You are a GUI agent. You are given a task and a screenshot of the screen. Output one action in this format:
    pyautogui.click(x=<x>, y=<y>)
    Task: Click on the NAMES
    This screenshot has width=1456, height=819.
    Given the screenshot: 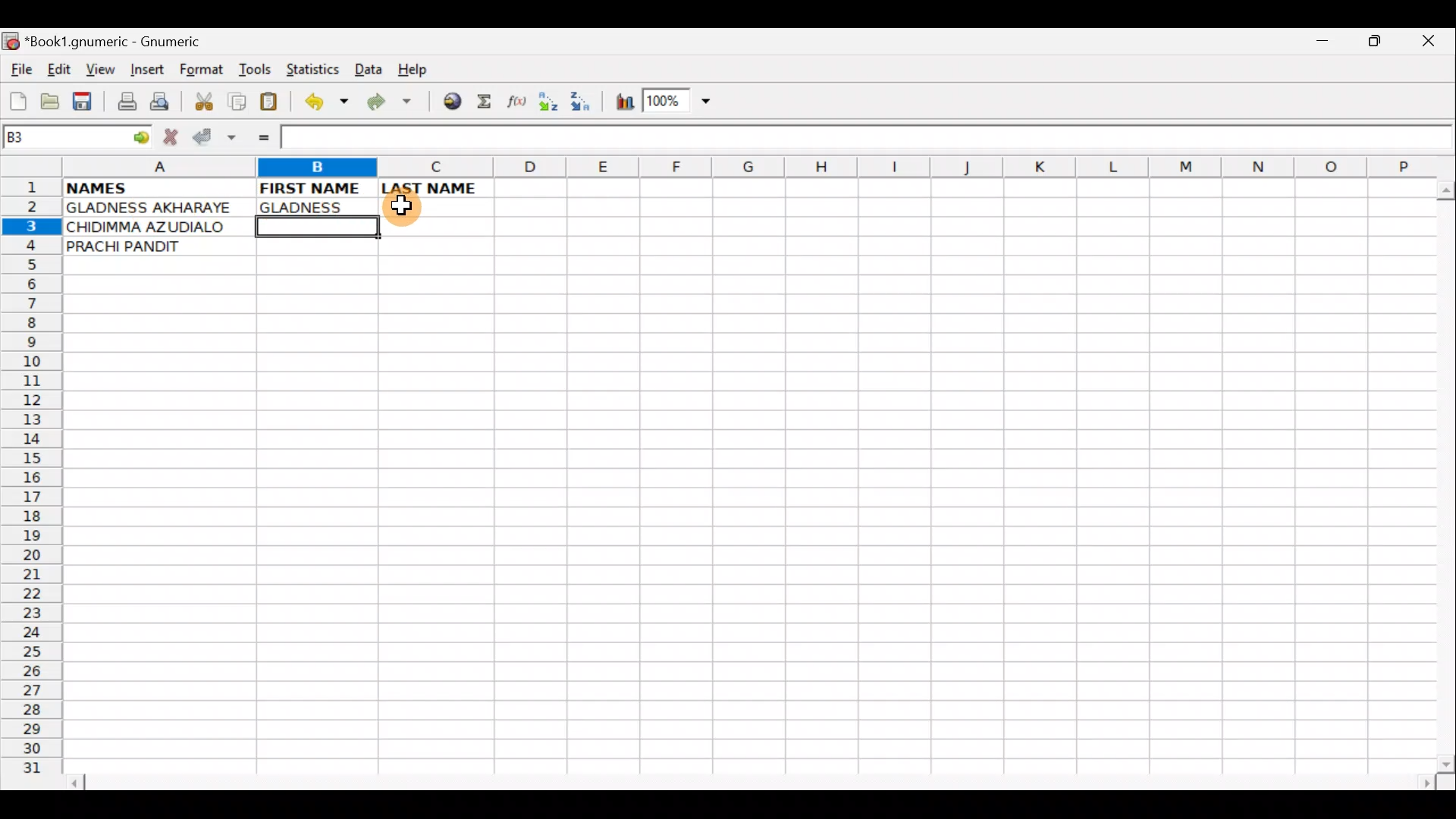 What is the action you would take?
    pyautogui.click(x=146, y=187)
    